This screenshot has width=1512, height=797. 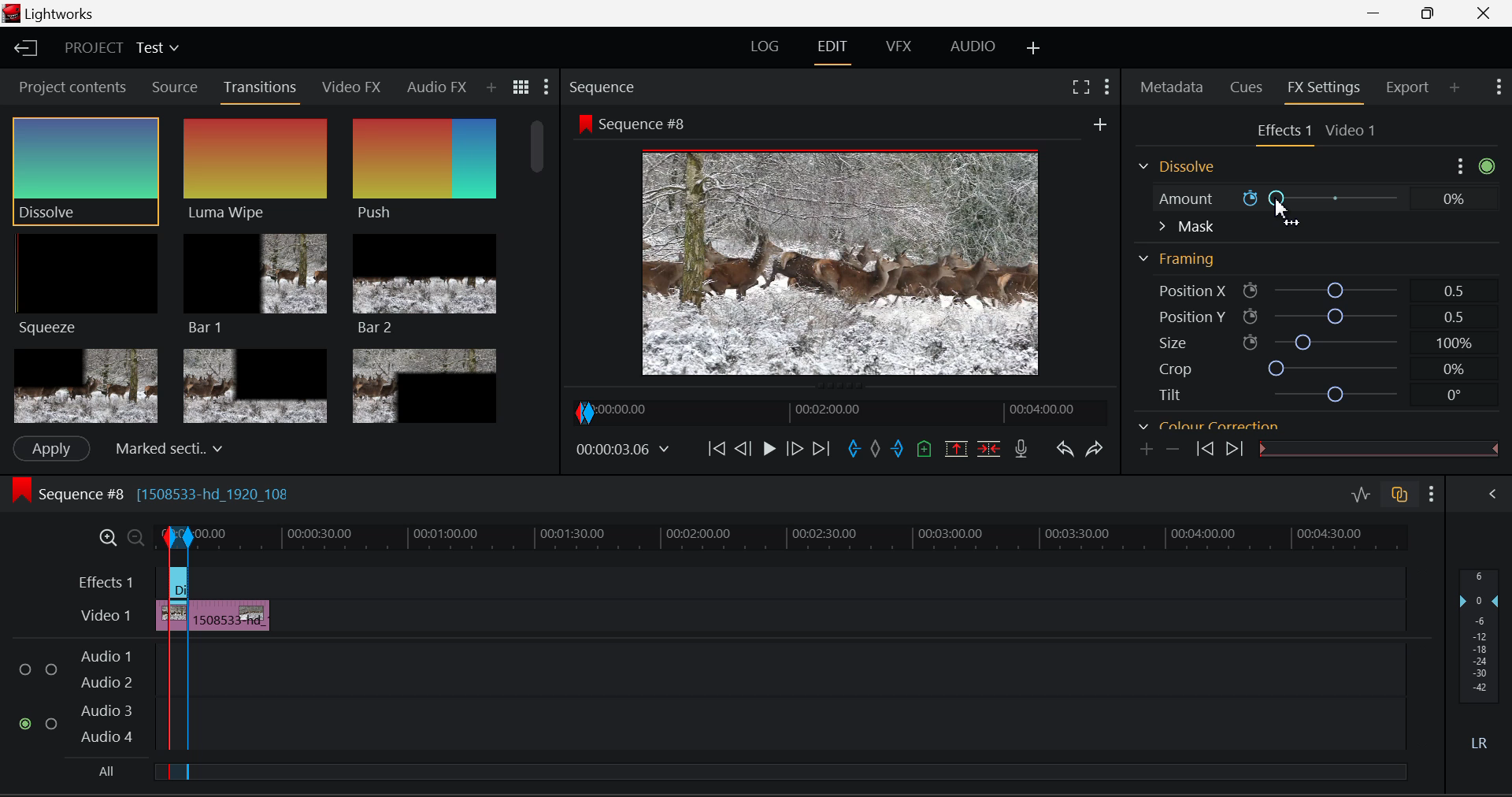 What do you see at coordinates (1493, 496) in the screenshot?
I see `Show Audio Mix` at bounding box center [1493, 496].